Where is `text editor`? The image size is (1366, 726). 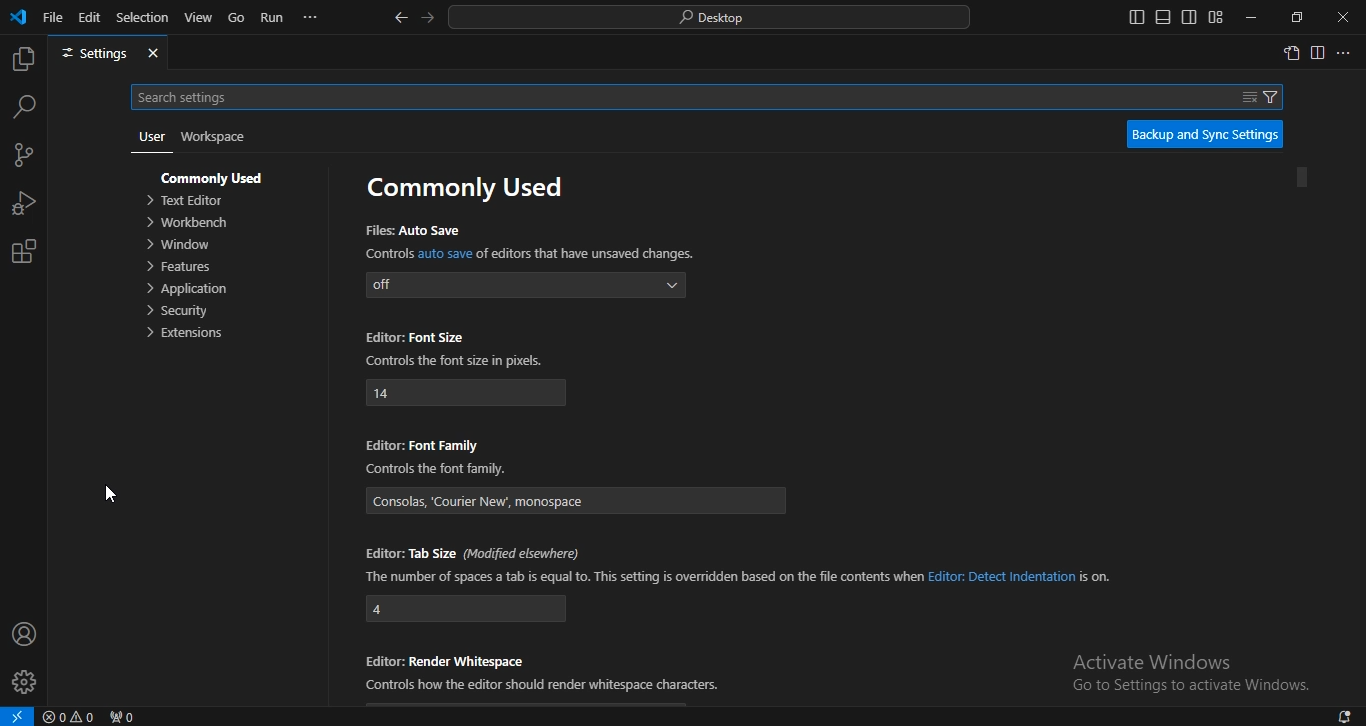
text editor is located at coordinates (190, 202).